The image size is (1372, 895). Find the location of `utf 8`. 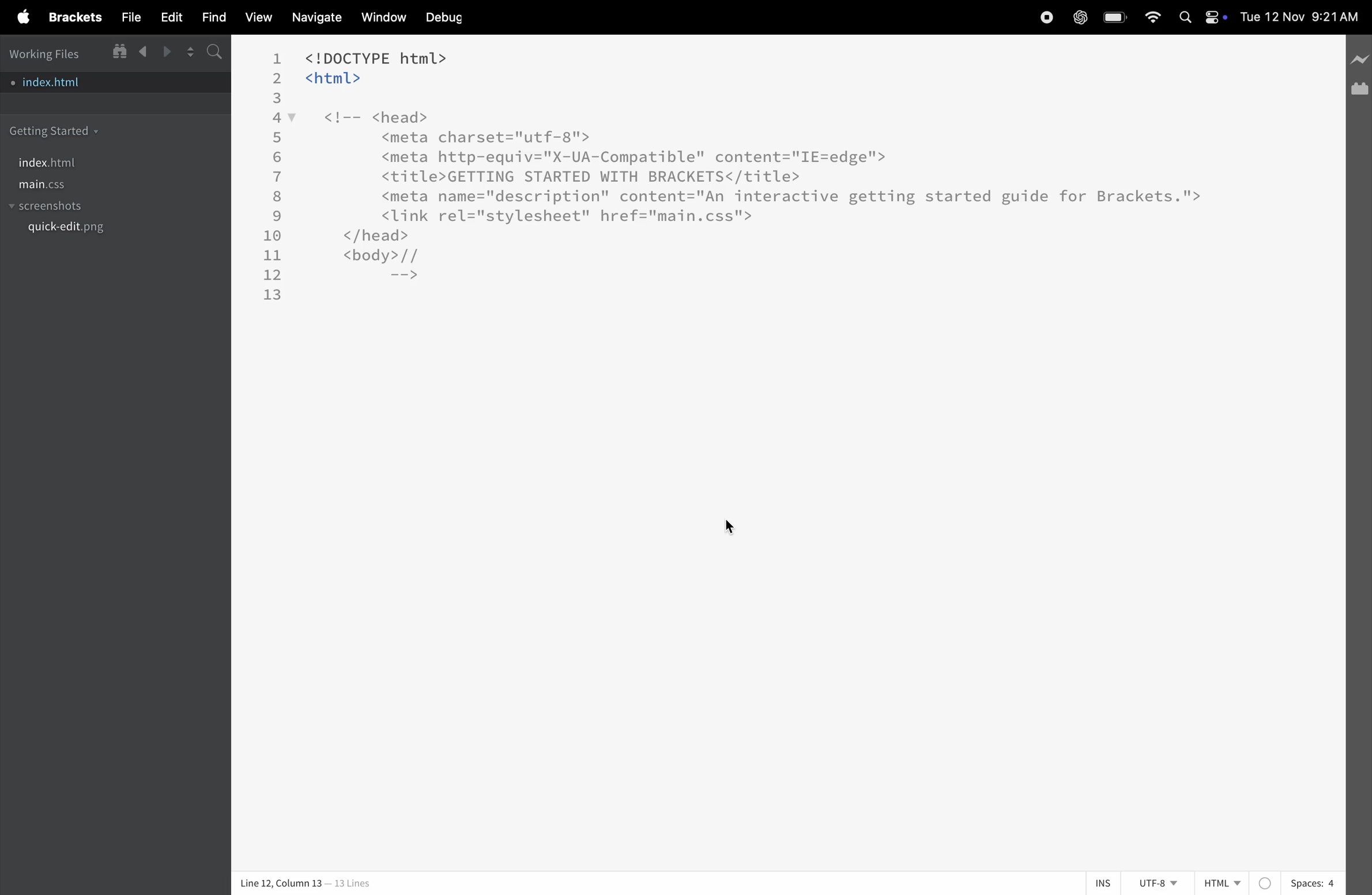

utf 8 is located at coordinates (1151, 883).